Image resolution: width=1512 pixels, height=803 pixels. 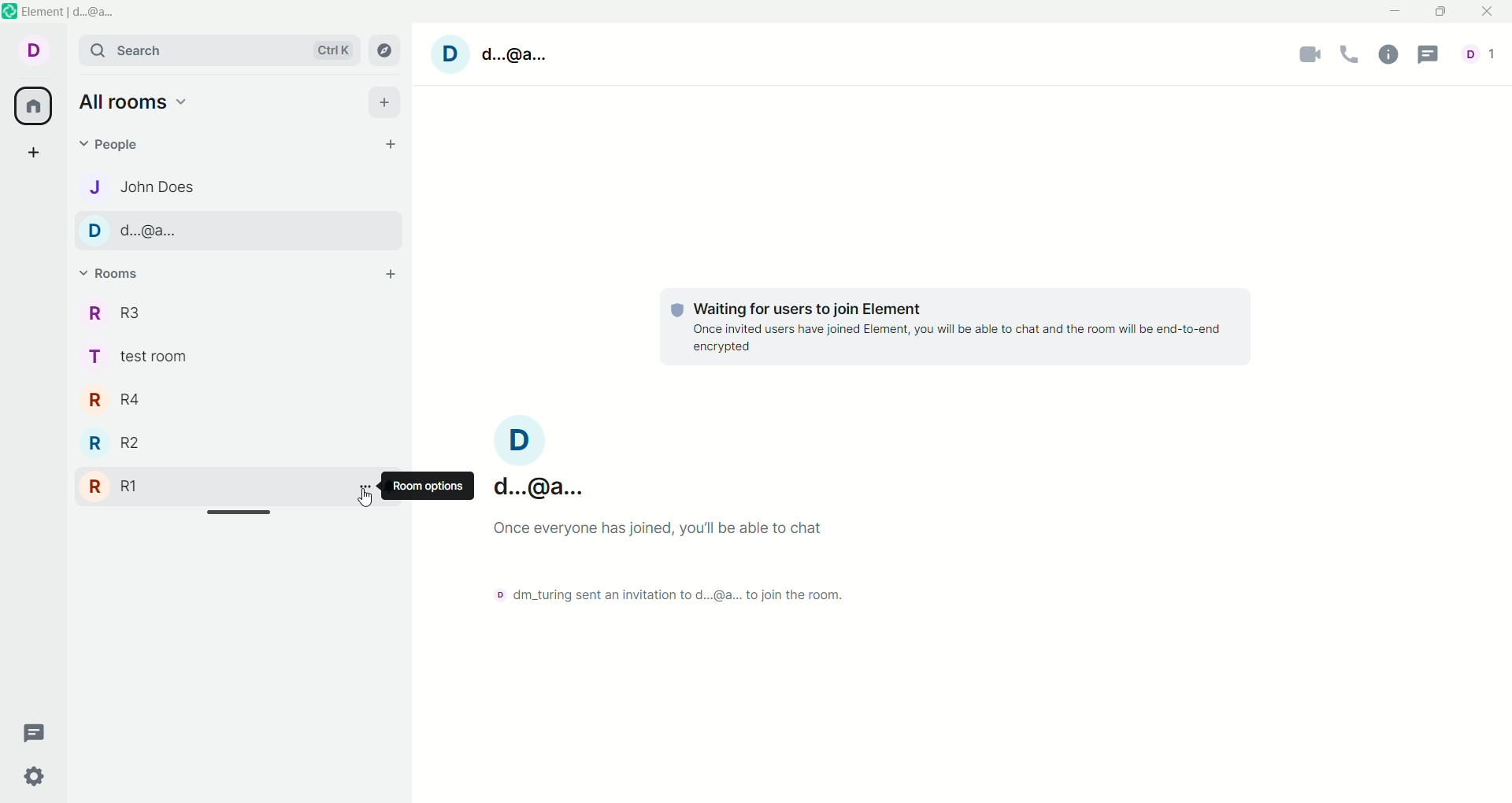 What do you see at coordinates (119, 442) in the screenshot?
I see `r r2` at bounding box center [119, 442].